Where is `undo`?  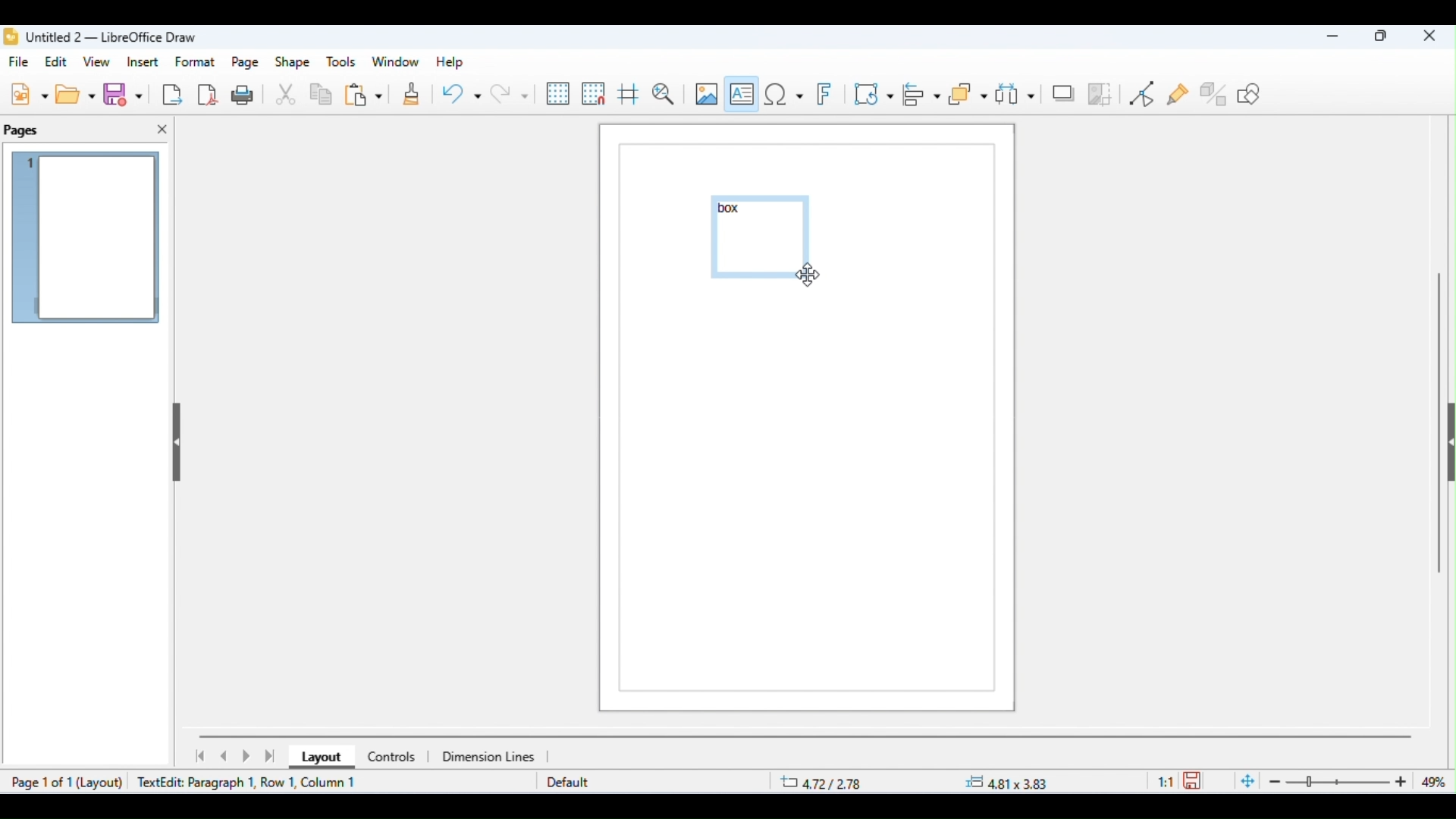 undo is located at coordinates (461, 96).